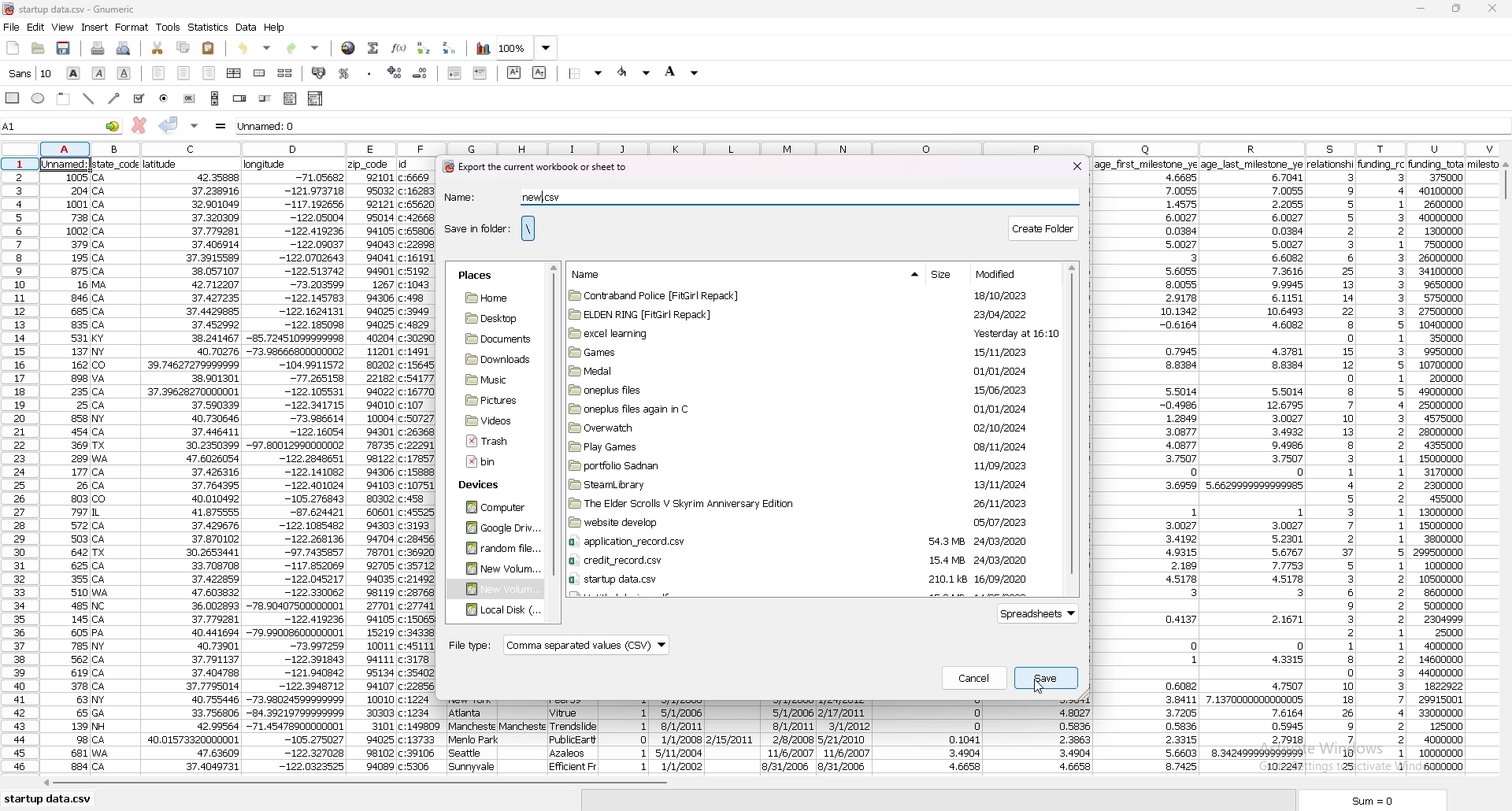 This screenshot has height=811, width=1512. What do you see at coordinates (763, 786) in the screenshot?
I see `scroll bar` at bounding box center [763, 786].